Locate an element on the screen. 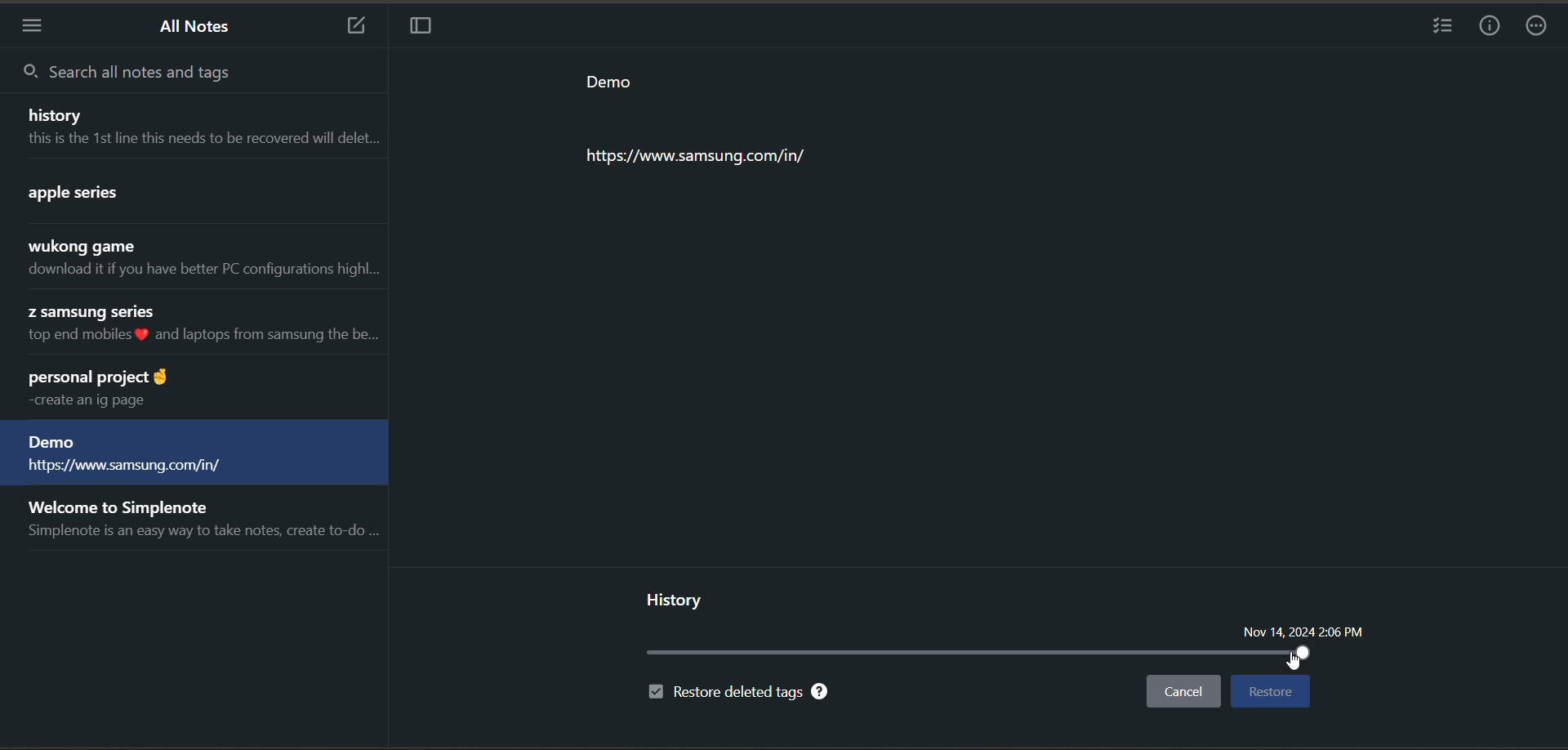  note title and preview is located at coordinates (199, 260).